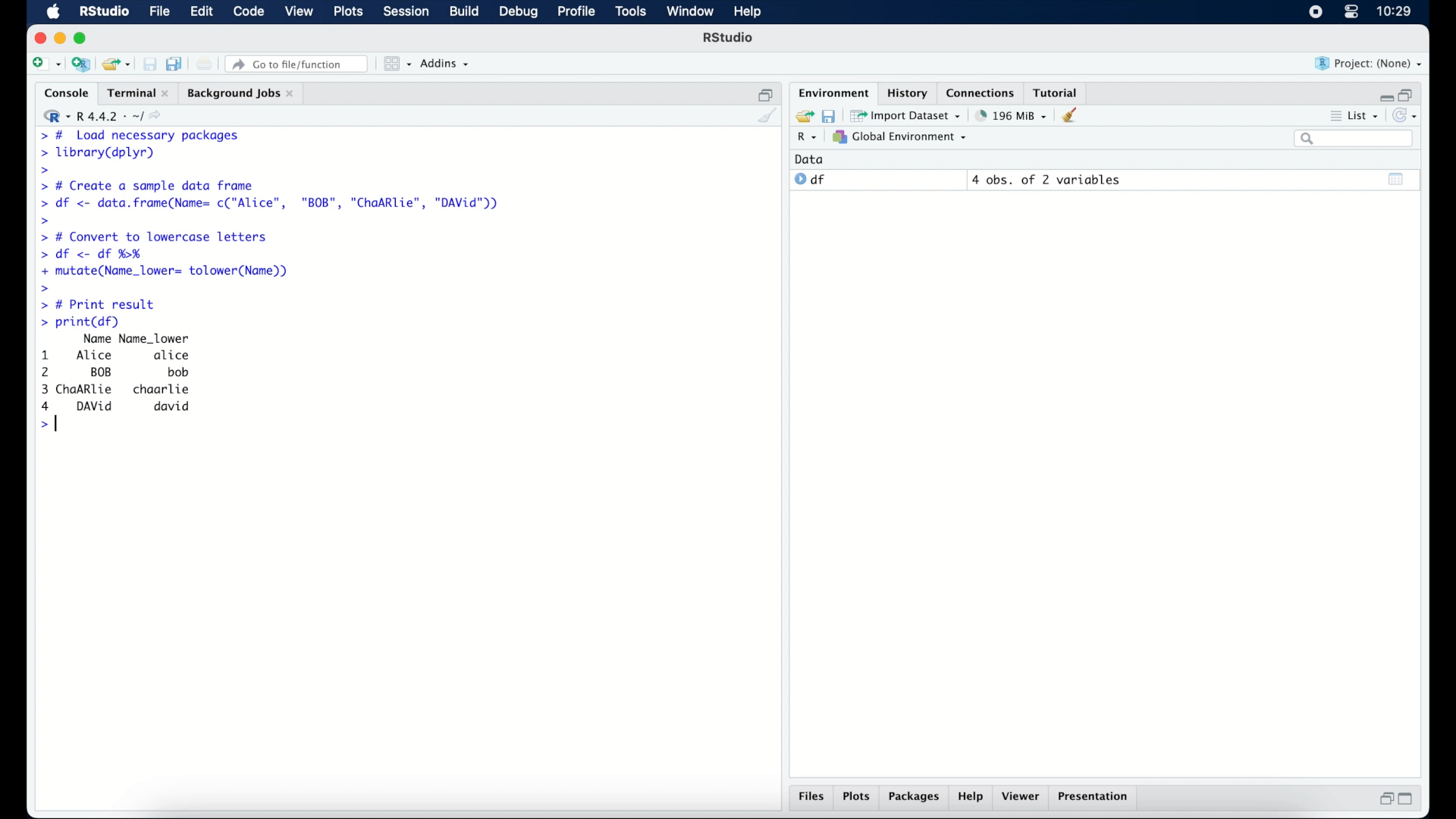 The height and width of the screenshot is (819, 1456). I want to click on view, so click(300, 13).